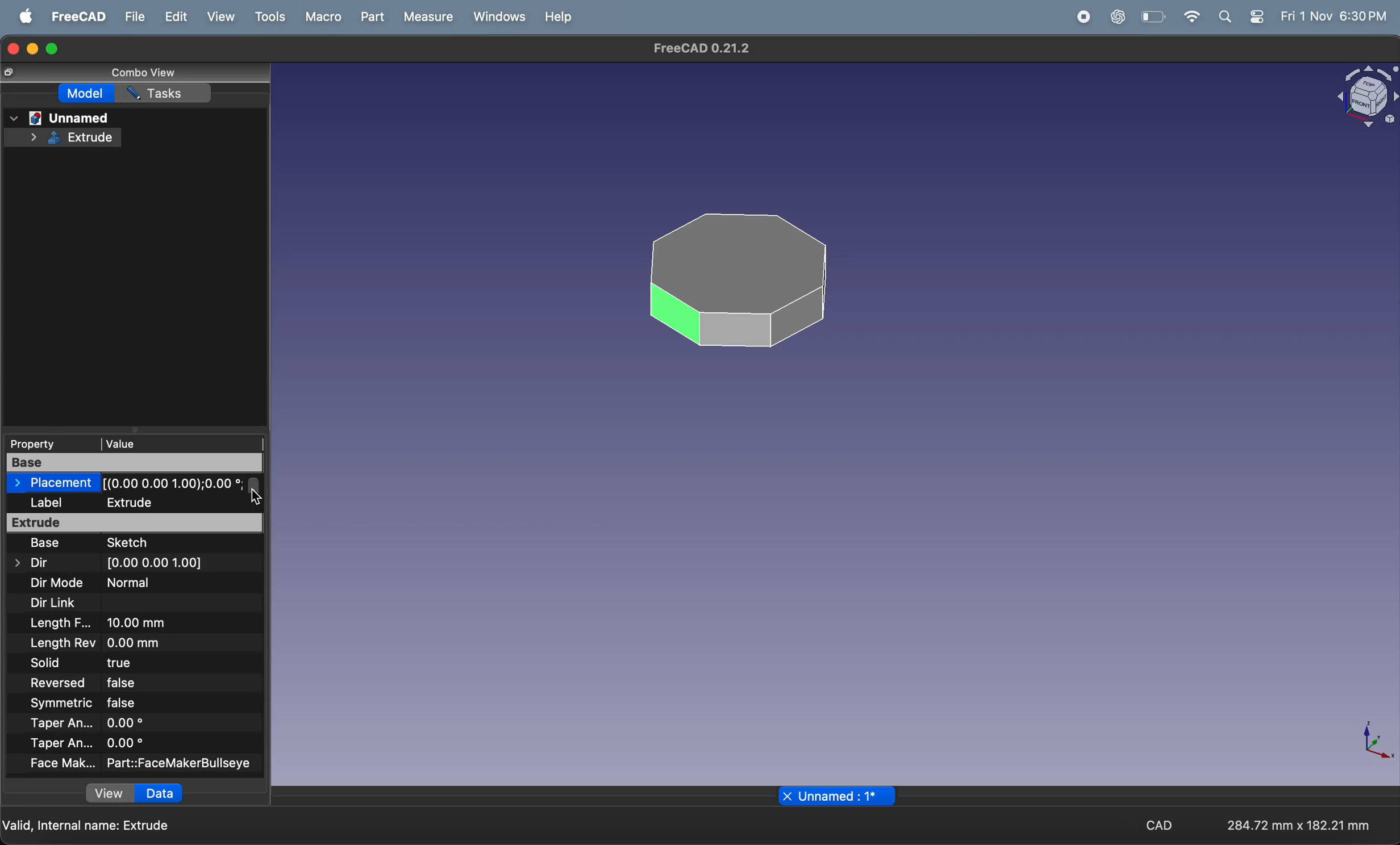 The width and height of the screenshot is (1400, 845). Describe the element at coordinates (42, 545) in the screenshot. I see `base` at that location.